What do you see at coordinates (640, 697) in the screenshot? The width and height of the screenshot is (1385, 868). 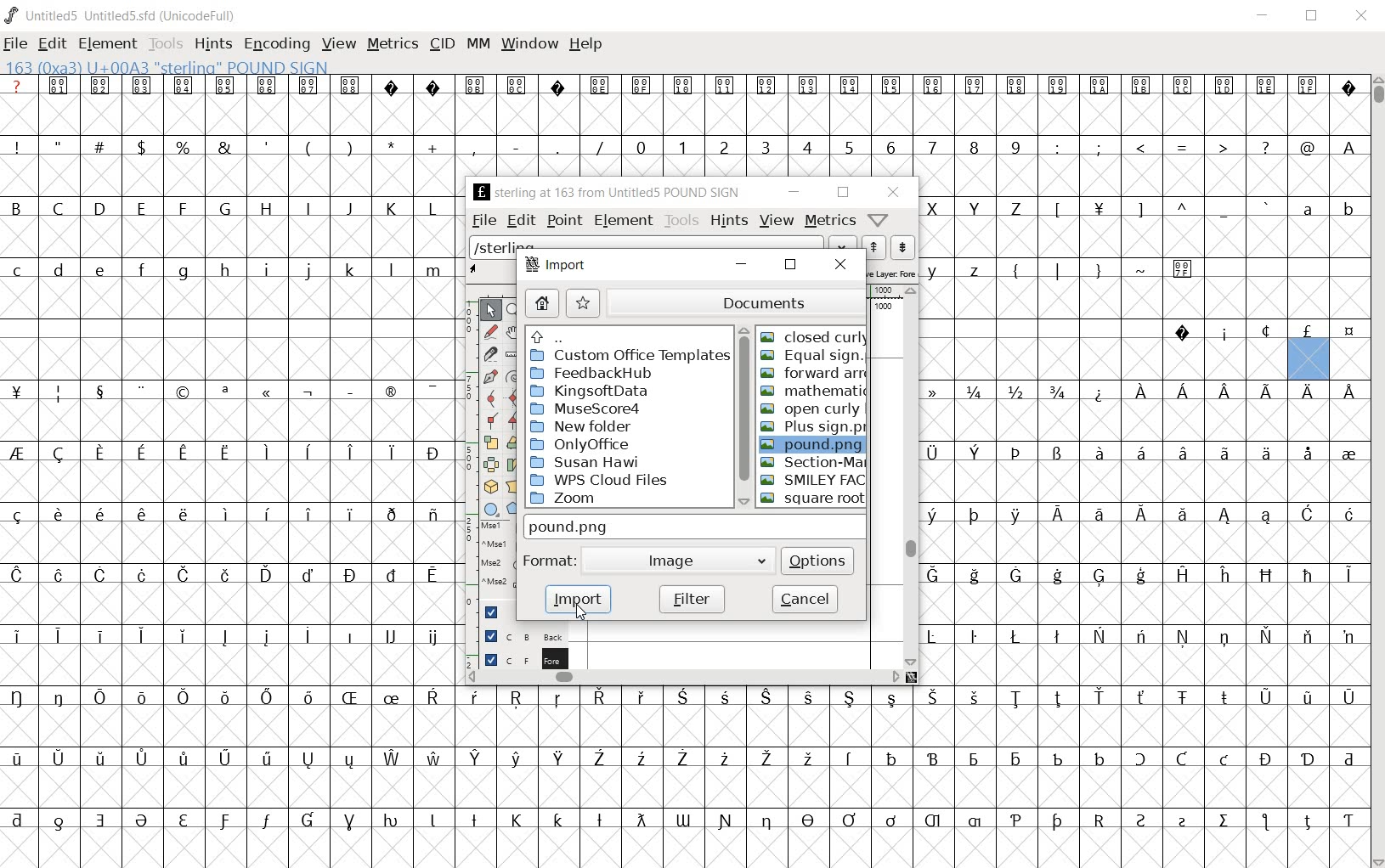 I see `Symbol` at bounding box center [640, 697].